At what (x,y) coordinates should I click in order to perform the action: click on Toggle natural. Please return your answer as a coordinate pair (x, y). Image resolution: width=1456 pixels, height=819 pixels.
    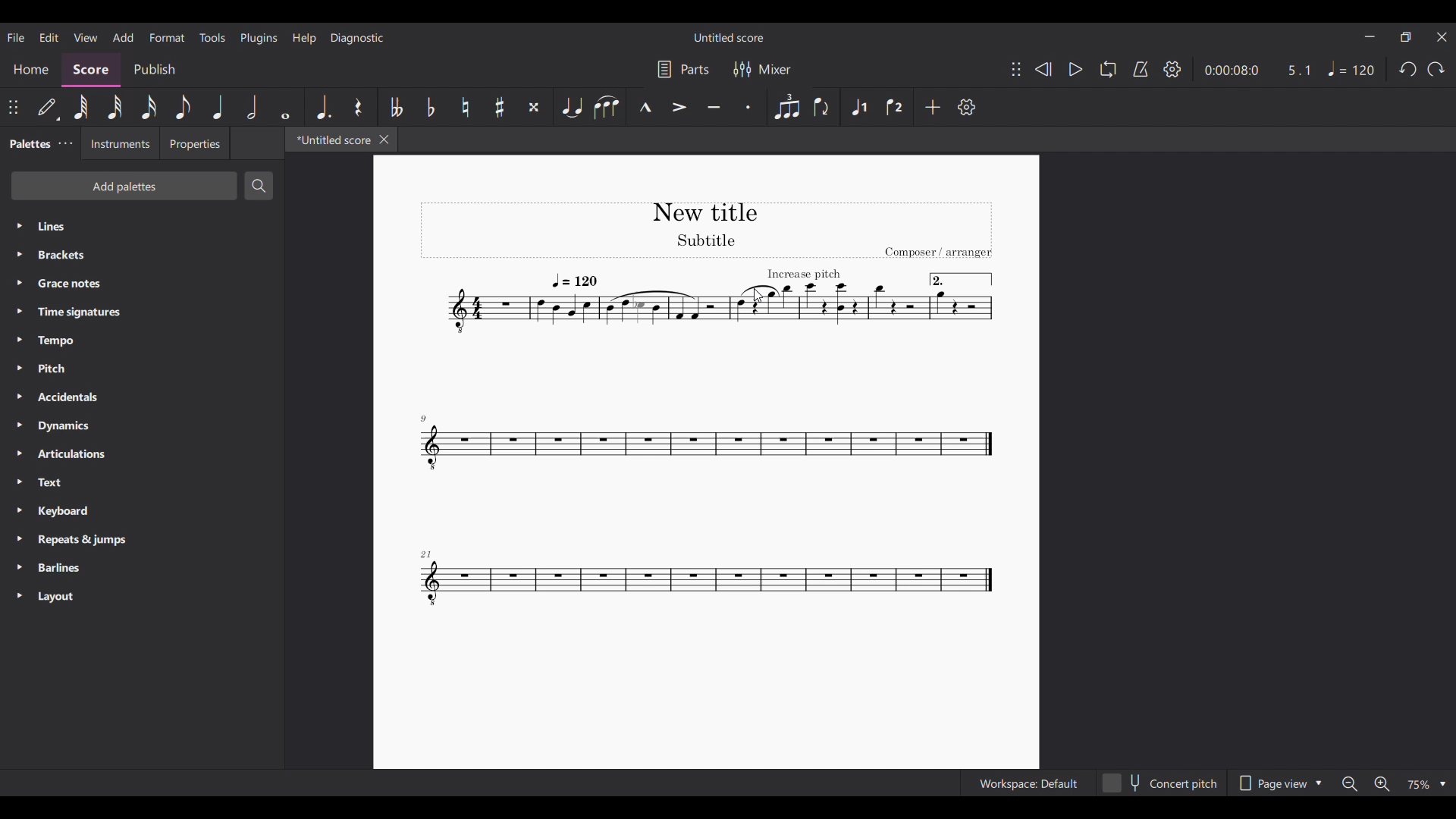
    Looking at the image, I should click on (465, 106).